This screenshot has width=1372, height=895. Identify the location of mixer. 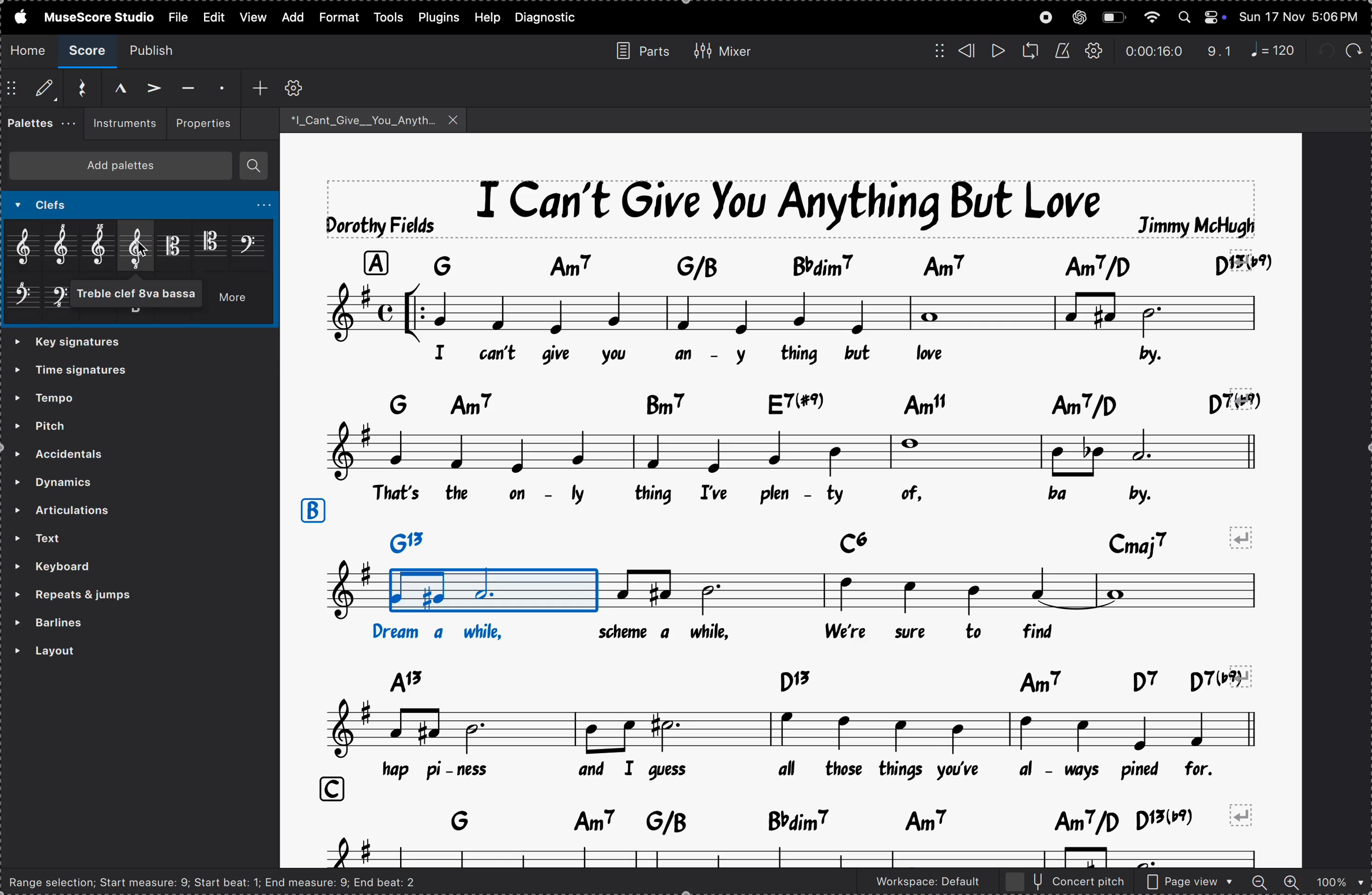
(722, 49).